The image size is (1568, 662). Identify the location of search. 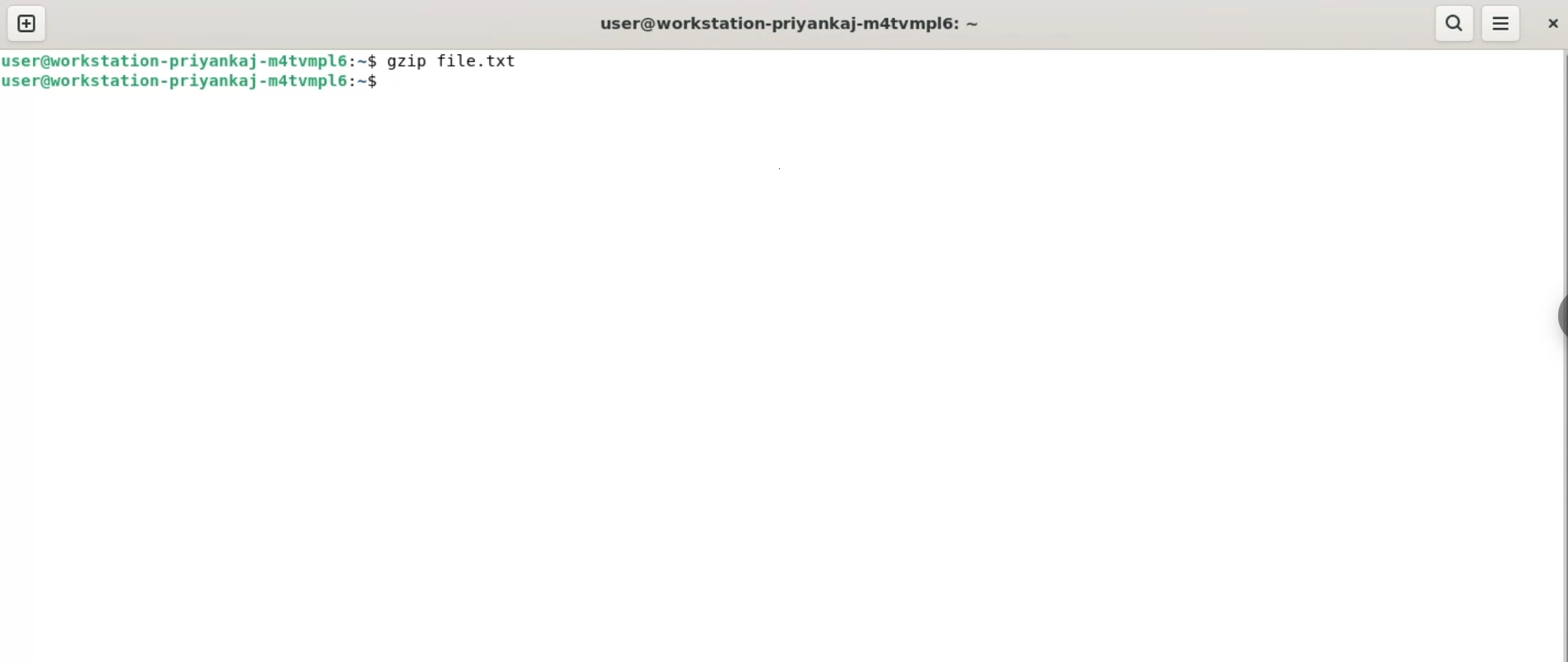
(1455, 25).